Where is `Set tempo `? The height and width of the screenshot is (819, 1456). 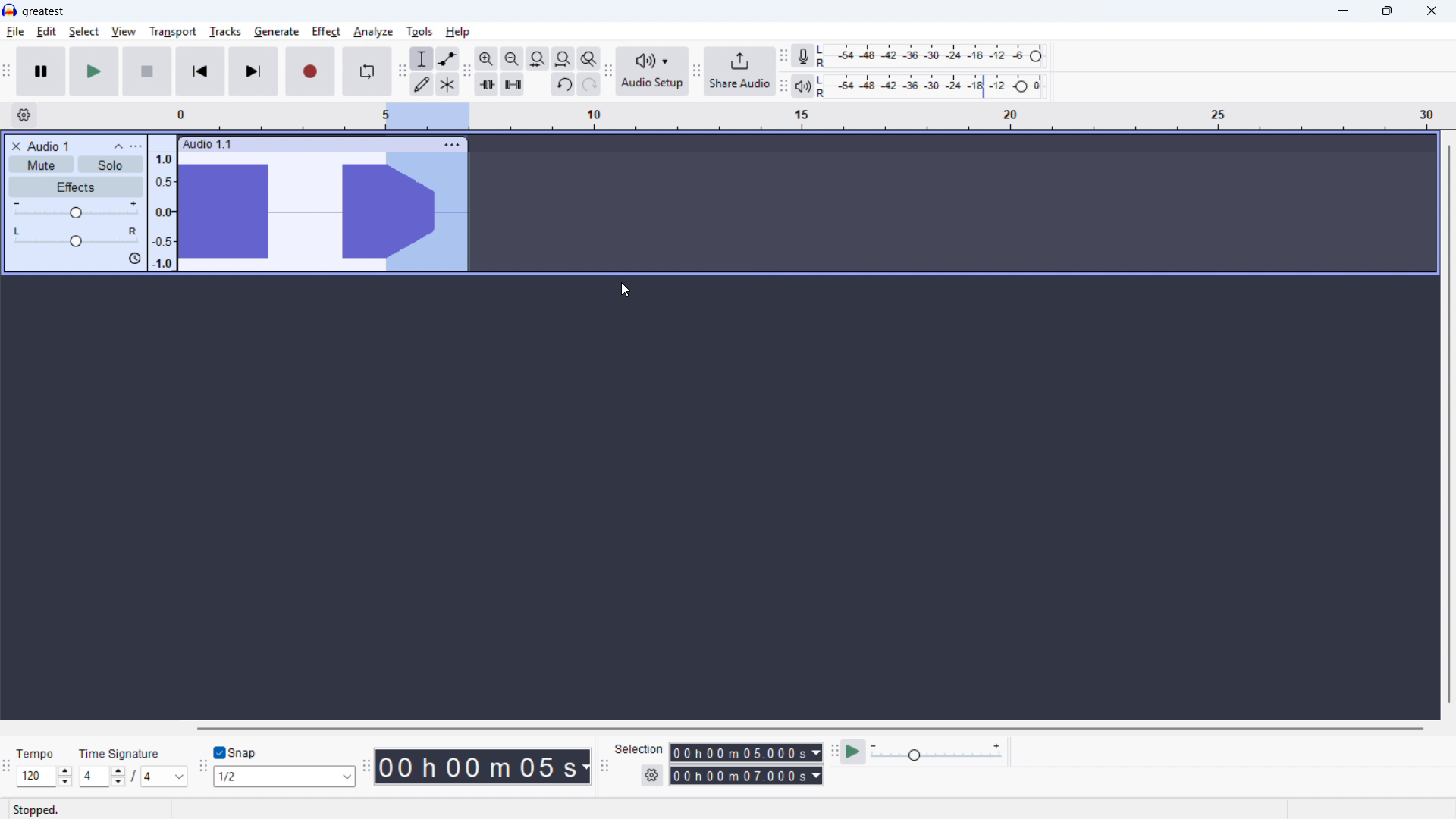 Set tempo  is located at coordinates (45, 776).